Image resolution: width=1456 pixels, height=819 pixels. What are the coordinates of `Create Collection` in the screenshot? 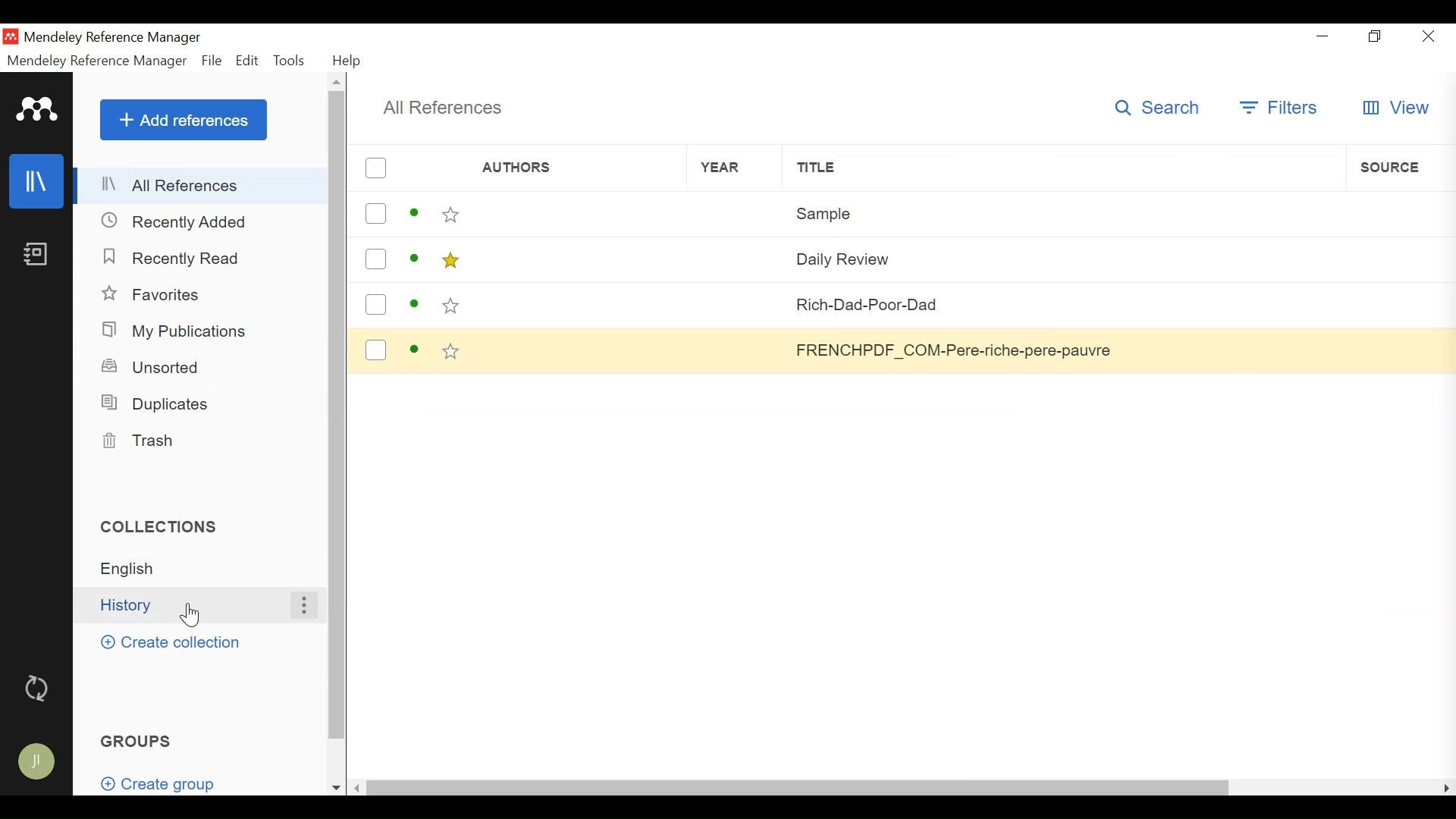 It's located at (171, 642).